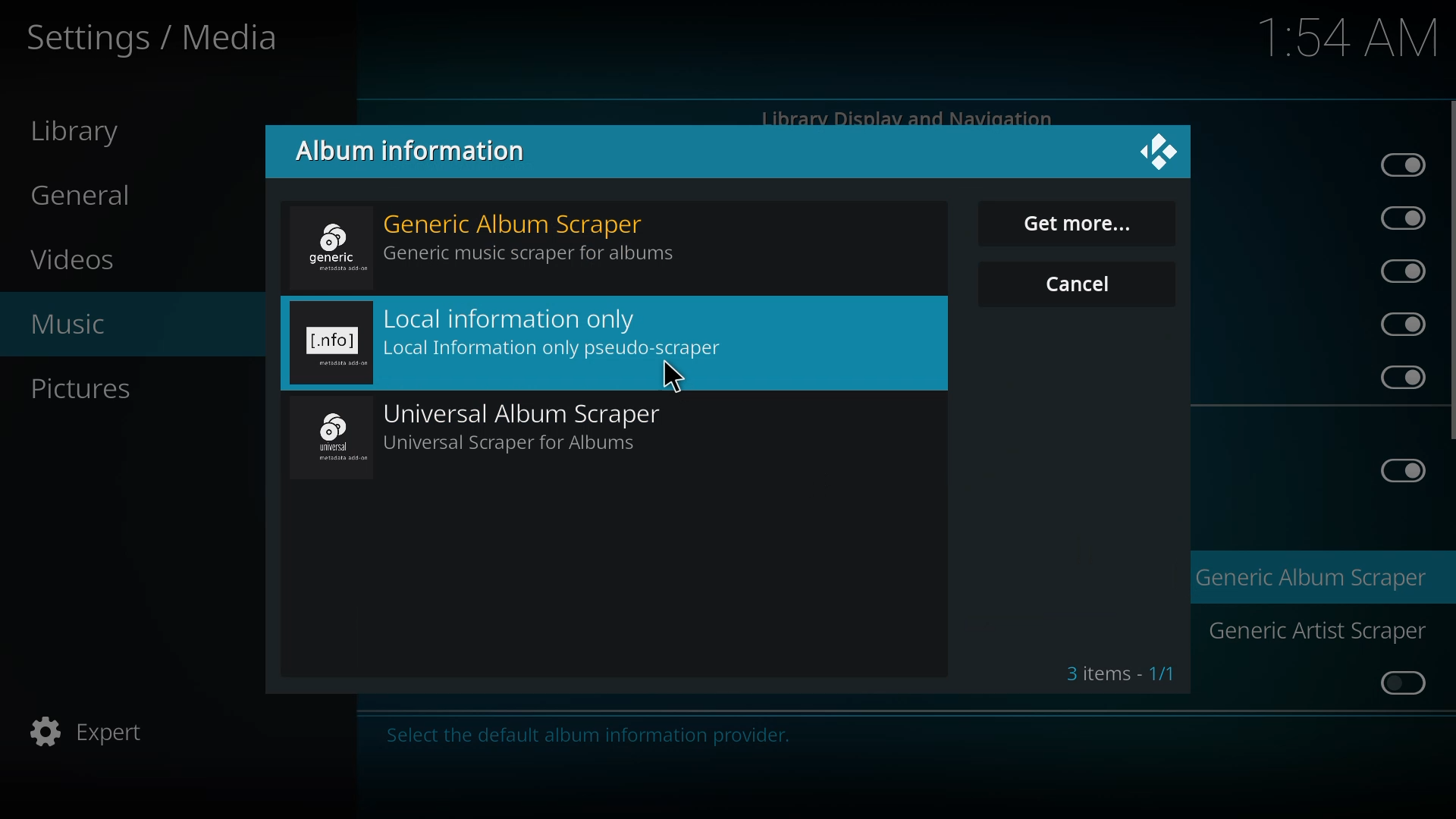 This screenshot has height=819, width=1456. Describe the element at coordinates (1393, 378) in the screenshot. I see `enabled` at that location.